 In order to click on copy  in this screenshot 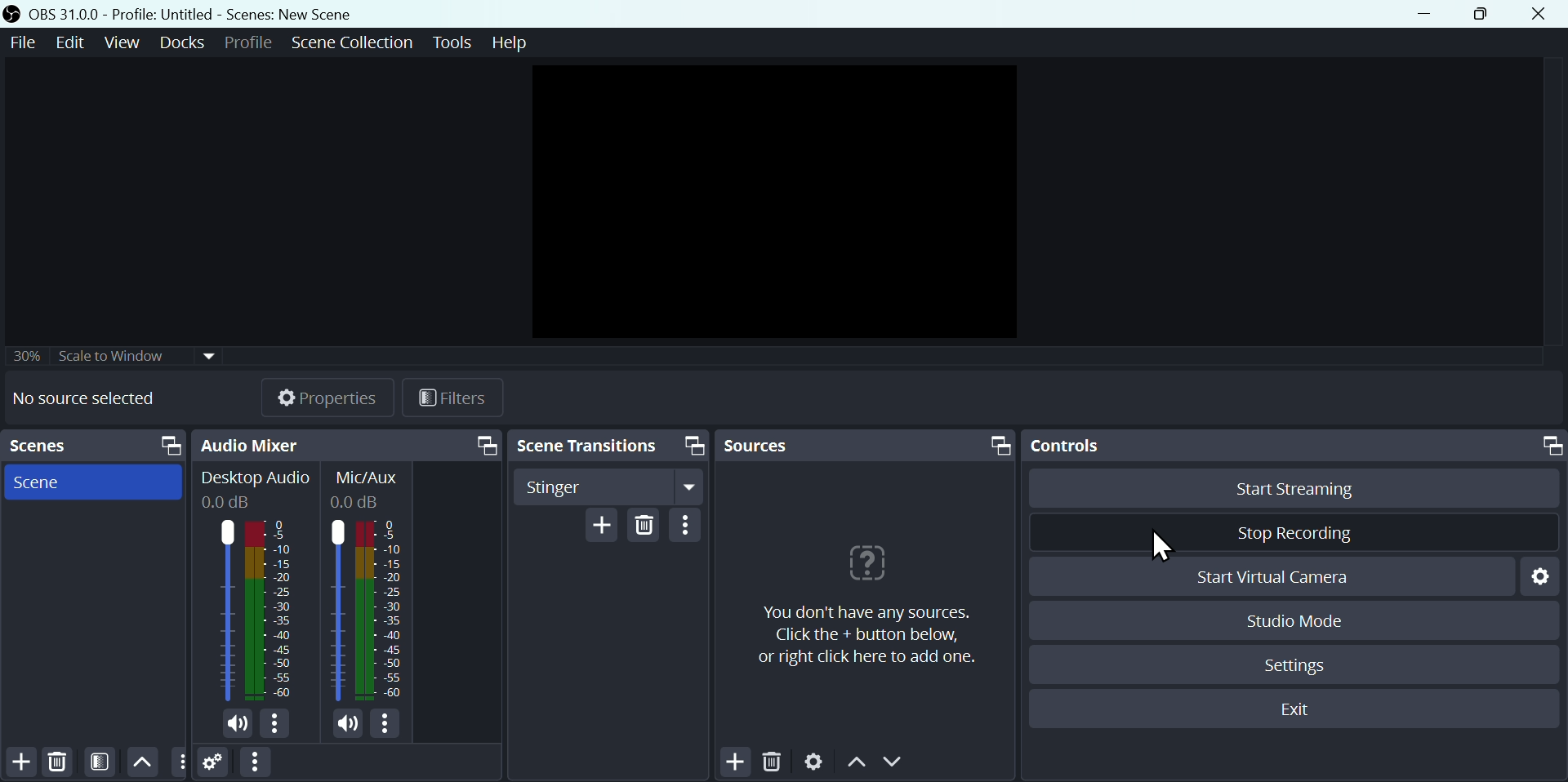, I will do `click(487, 445)`.